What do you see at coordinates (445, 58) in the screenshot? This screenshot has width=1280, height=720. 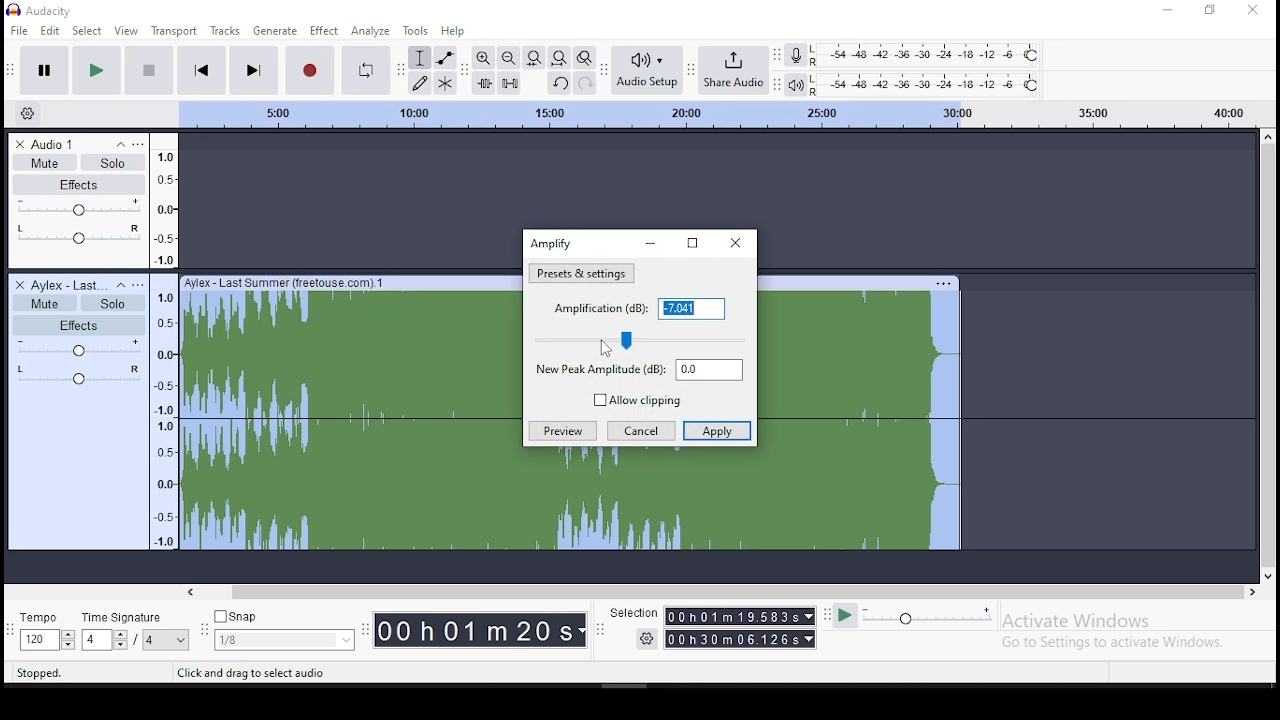 I see `envelope tool` at bounding box center [445, 58].